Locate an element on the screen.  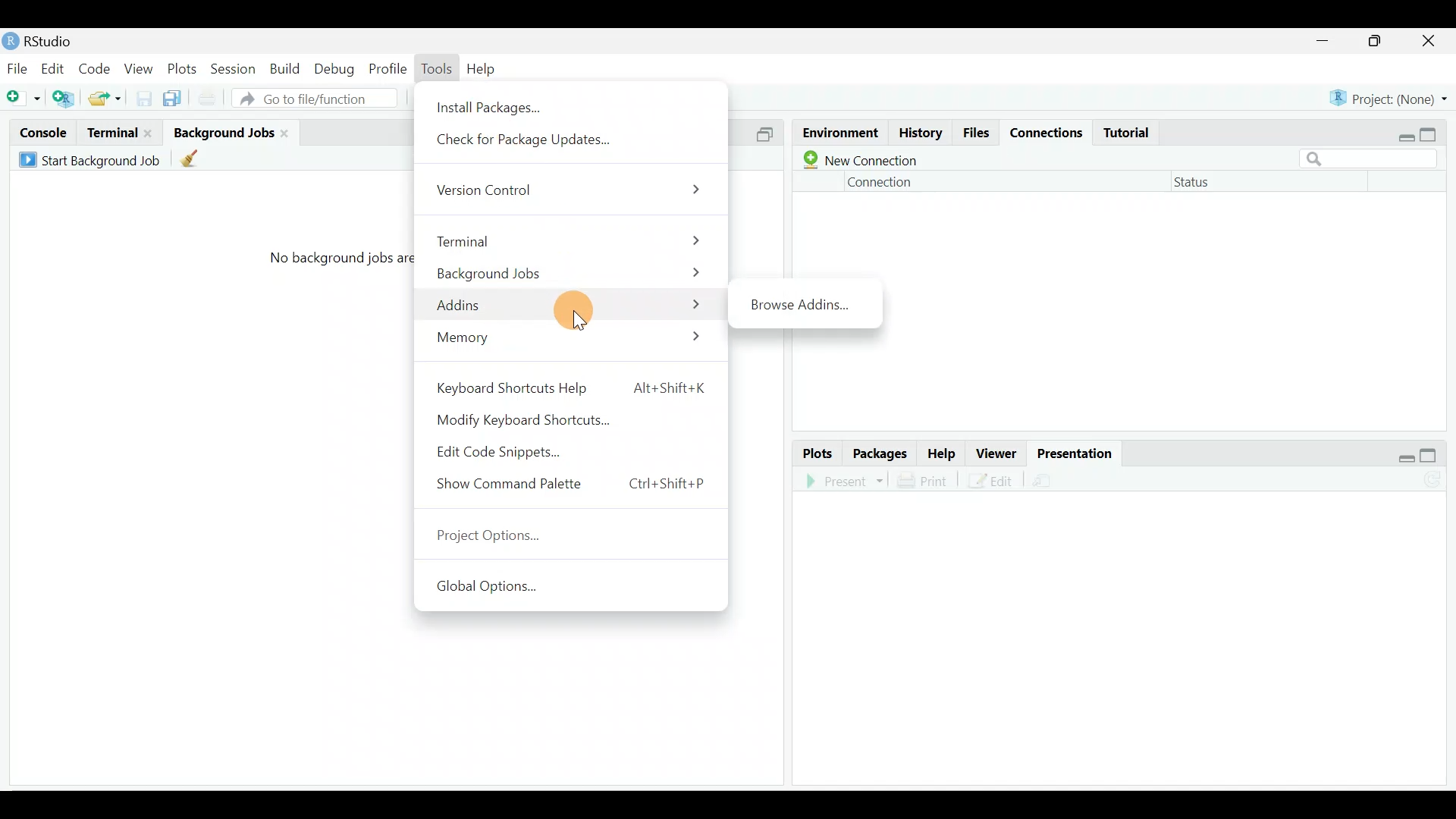
Clean up all completed background jobs is located at coordinates (193, 158).